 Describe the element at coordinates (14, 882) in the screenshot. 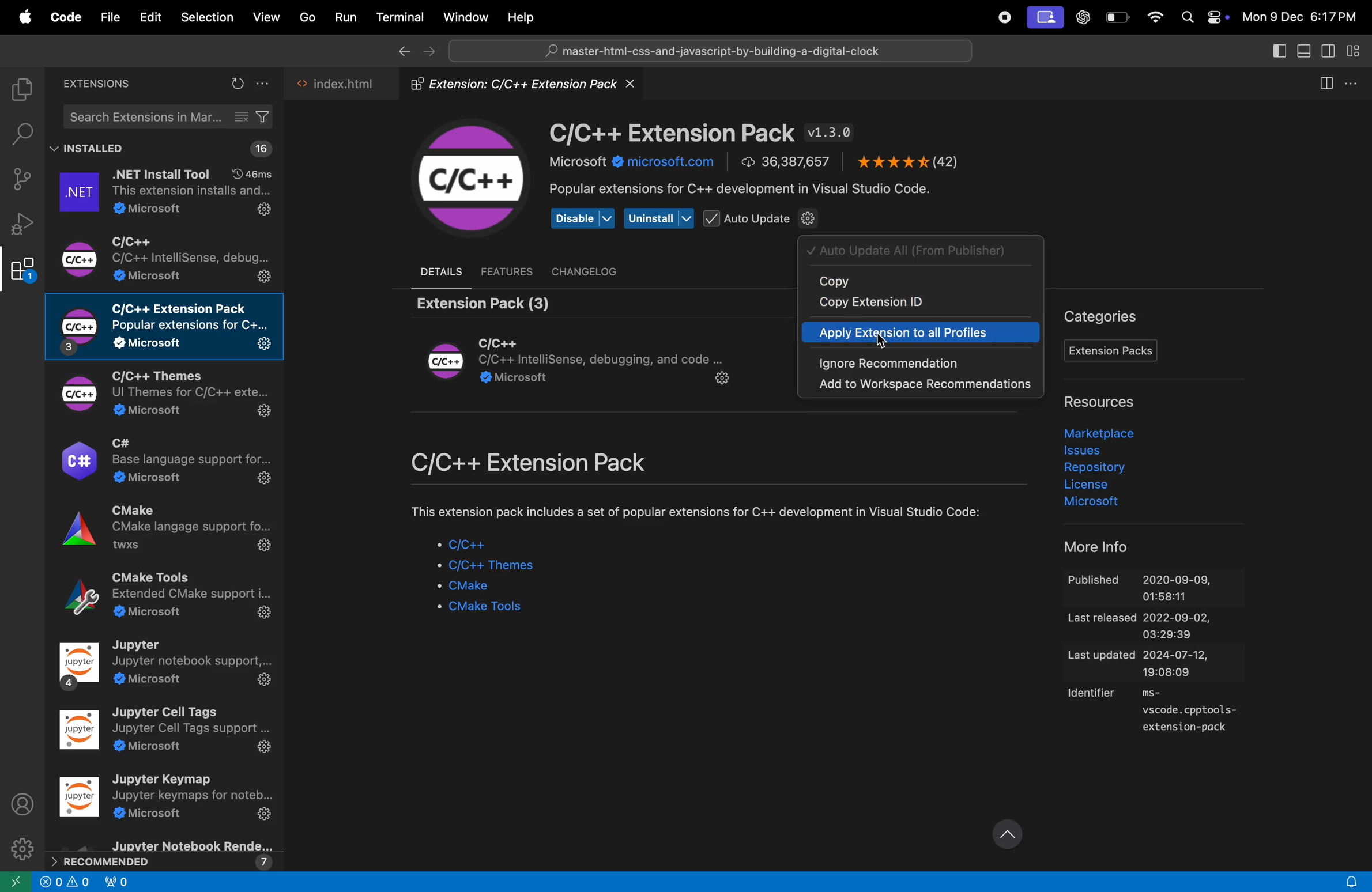

I see `go back` at that location.